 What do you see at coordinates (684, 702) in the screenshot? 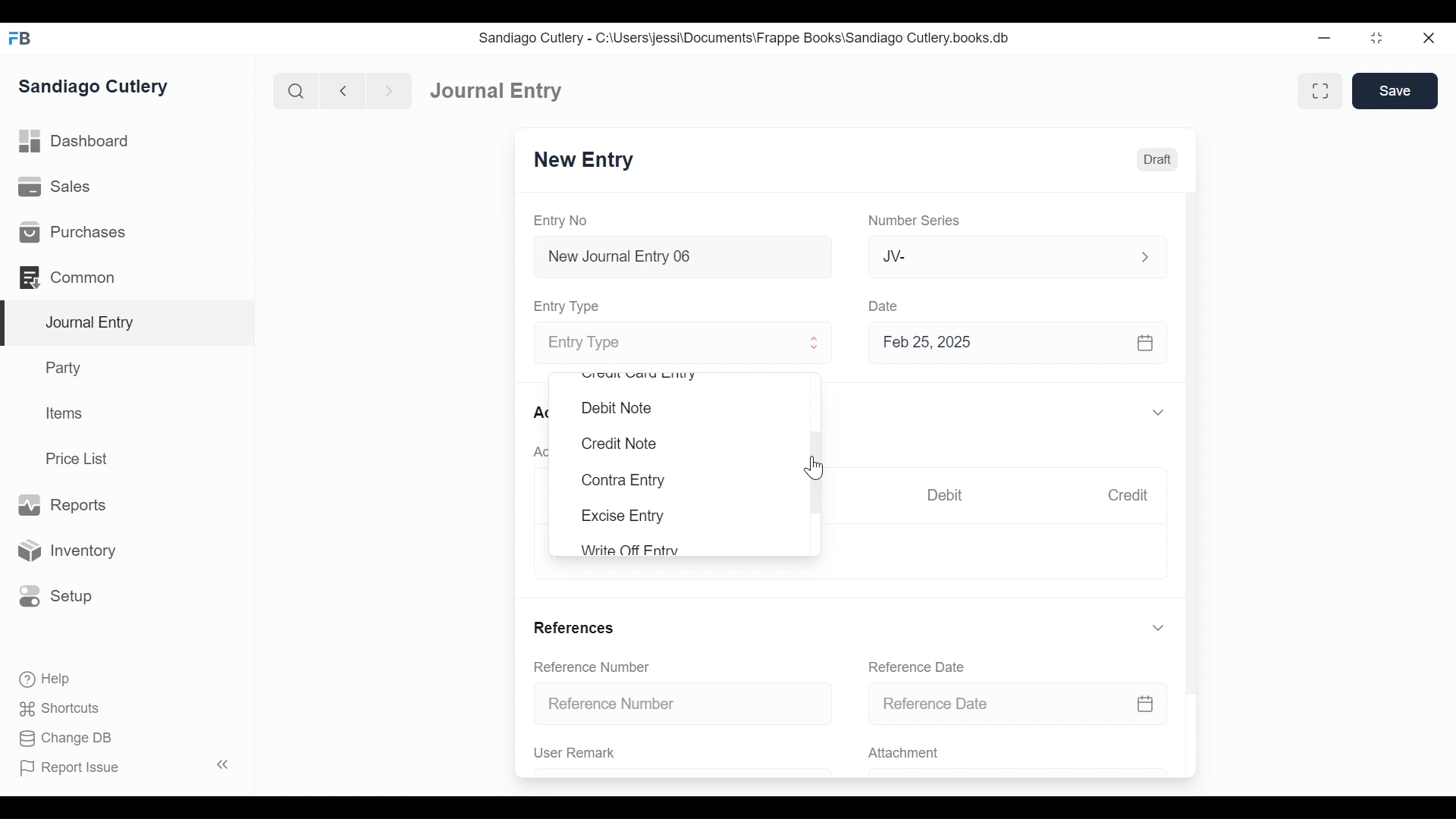
I see `Reference Number` at bounding box center [684, 702].